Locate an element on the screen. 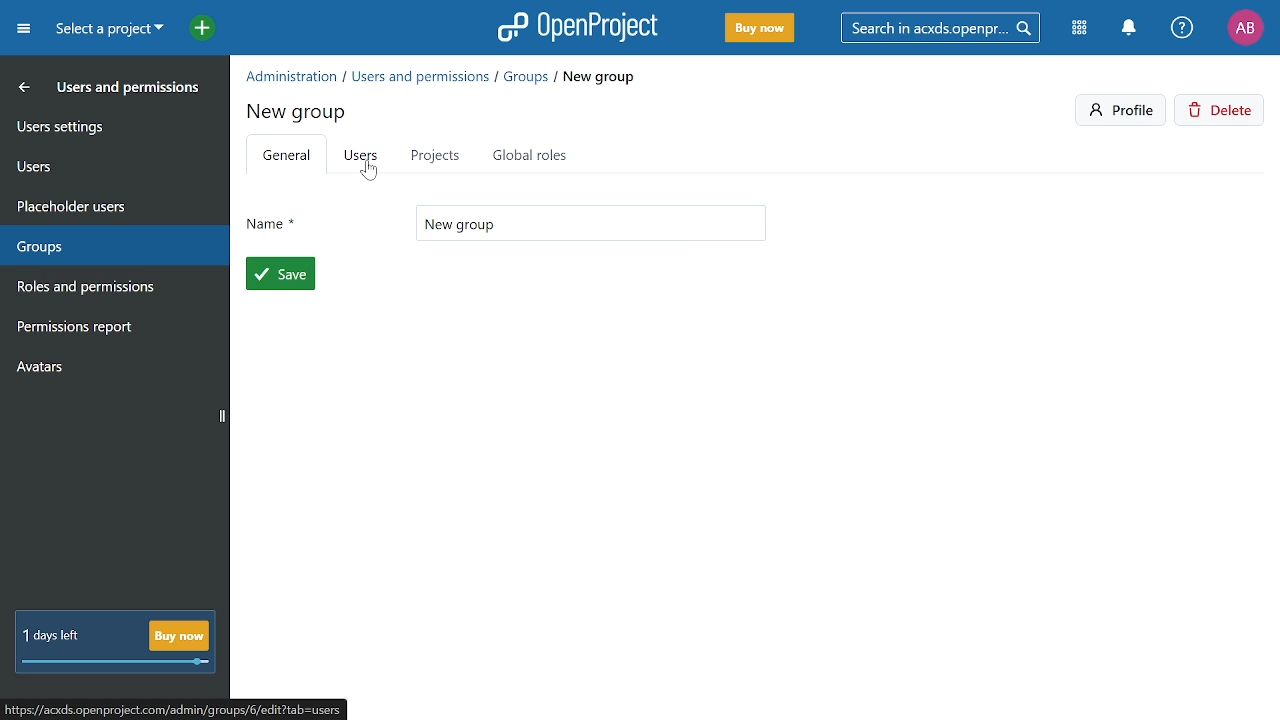 This screenshot has width=1280, height=720. Buy now is located at coordinates (758, 29).